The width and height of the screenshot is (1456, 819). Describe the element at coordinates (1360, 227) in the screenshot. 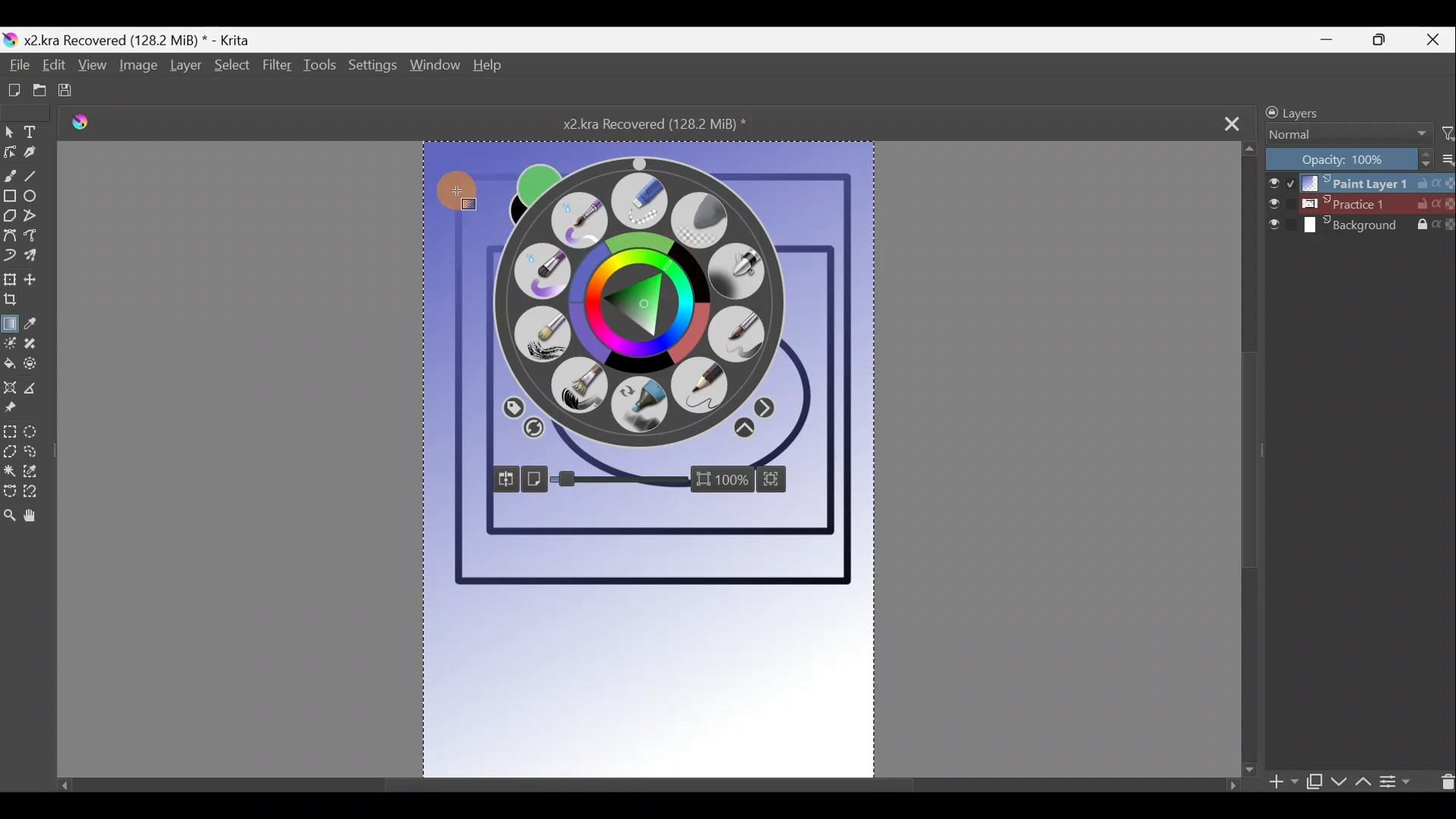

I see `Layer 3` at that location.